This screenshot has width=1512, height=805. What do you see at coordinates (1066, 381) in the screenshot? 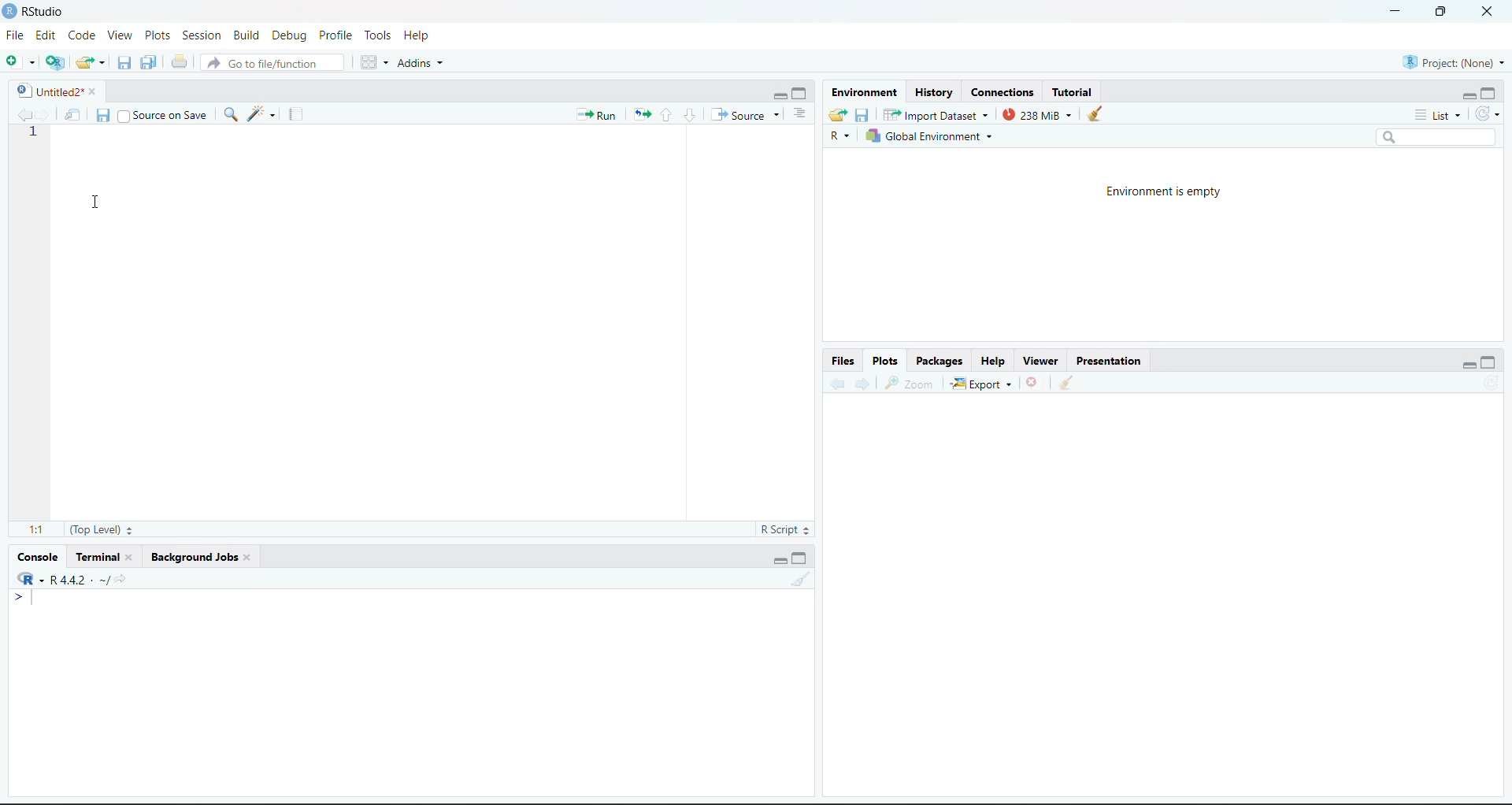
I see `clear` at bounding box center [1066, 381].